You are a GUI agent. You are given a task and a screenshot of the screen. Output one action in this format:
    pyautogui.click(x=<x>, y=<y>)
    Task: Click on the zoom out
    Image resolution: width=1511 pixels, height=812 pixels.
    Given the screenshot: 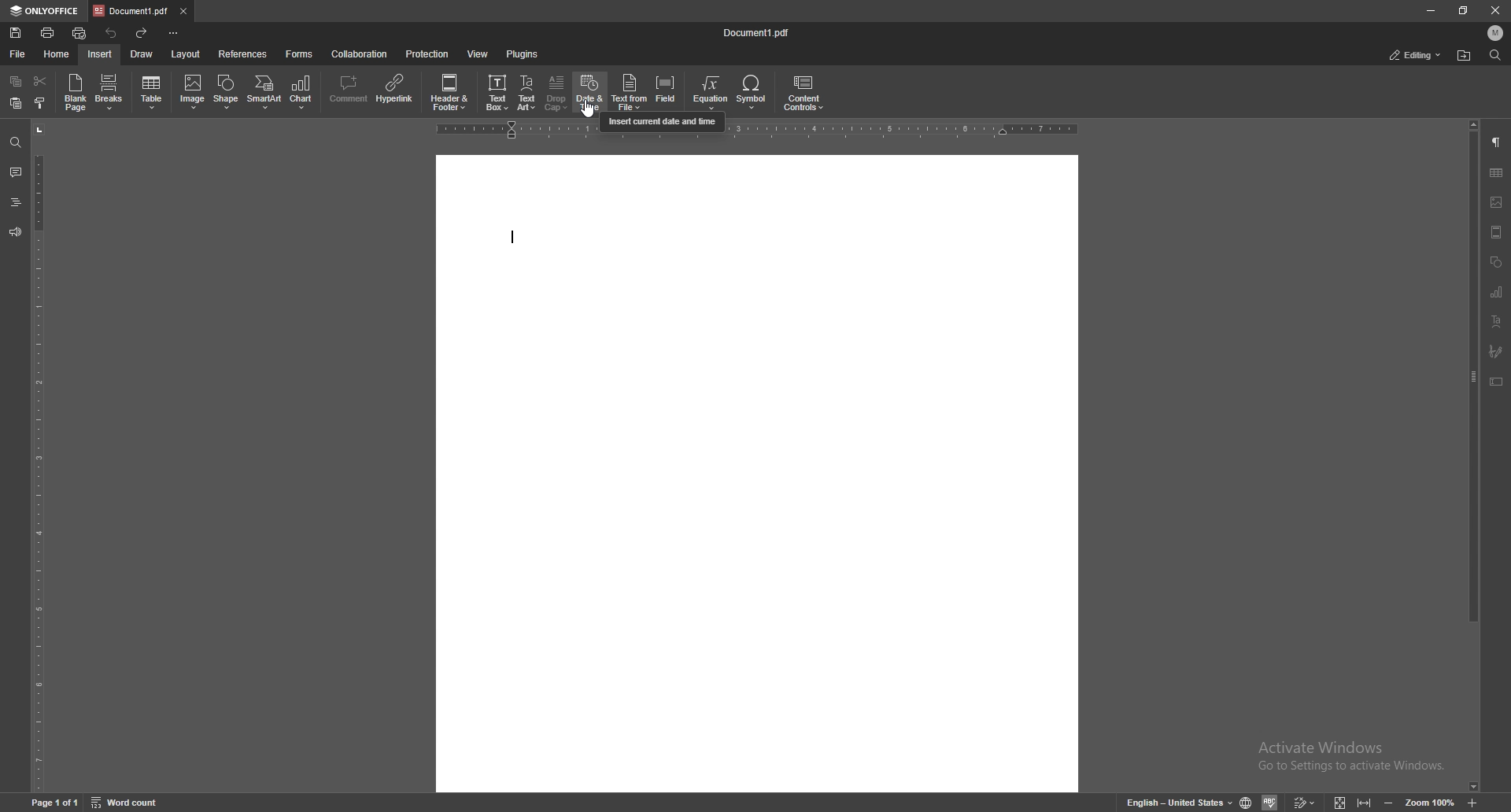 What is the action you would take?
    pyautogui.click(x=1389, y=800)
    